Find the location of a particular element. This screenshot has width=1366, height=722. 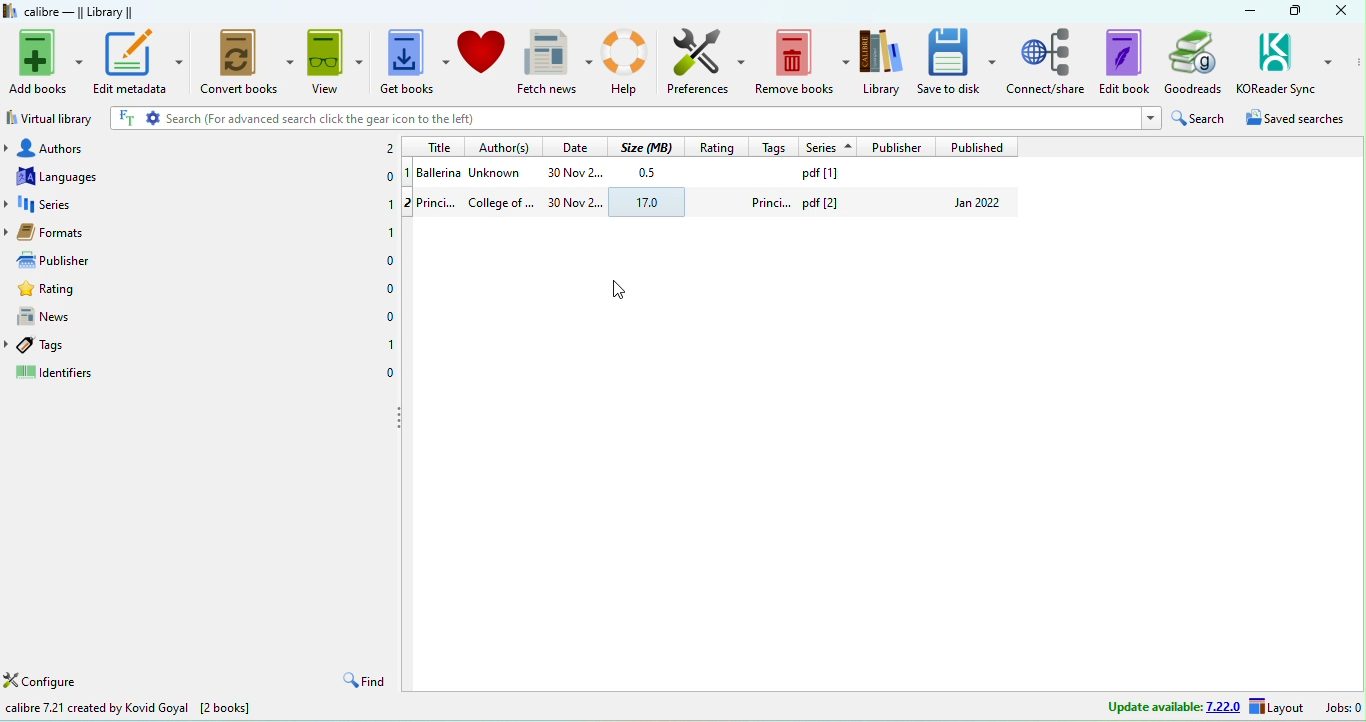

17.0 is located at coordinates (647, 202).